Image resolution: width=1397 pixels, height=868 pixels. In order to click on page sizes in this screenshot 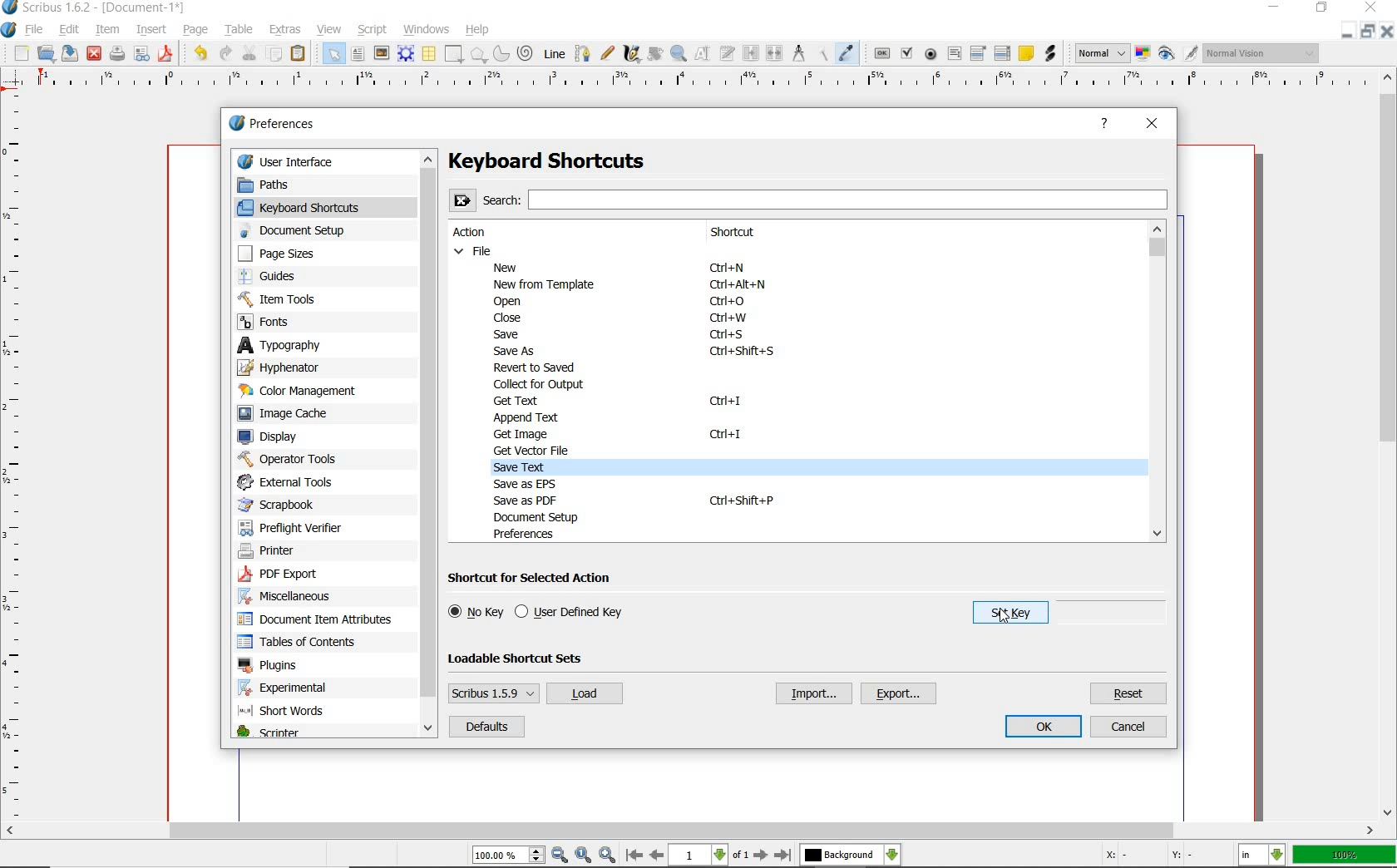, I will do `click(289, 254)`.